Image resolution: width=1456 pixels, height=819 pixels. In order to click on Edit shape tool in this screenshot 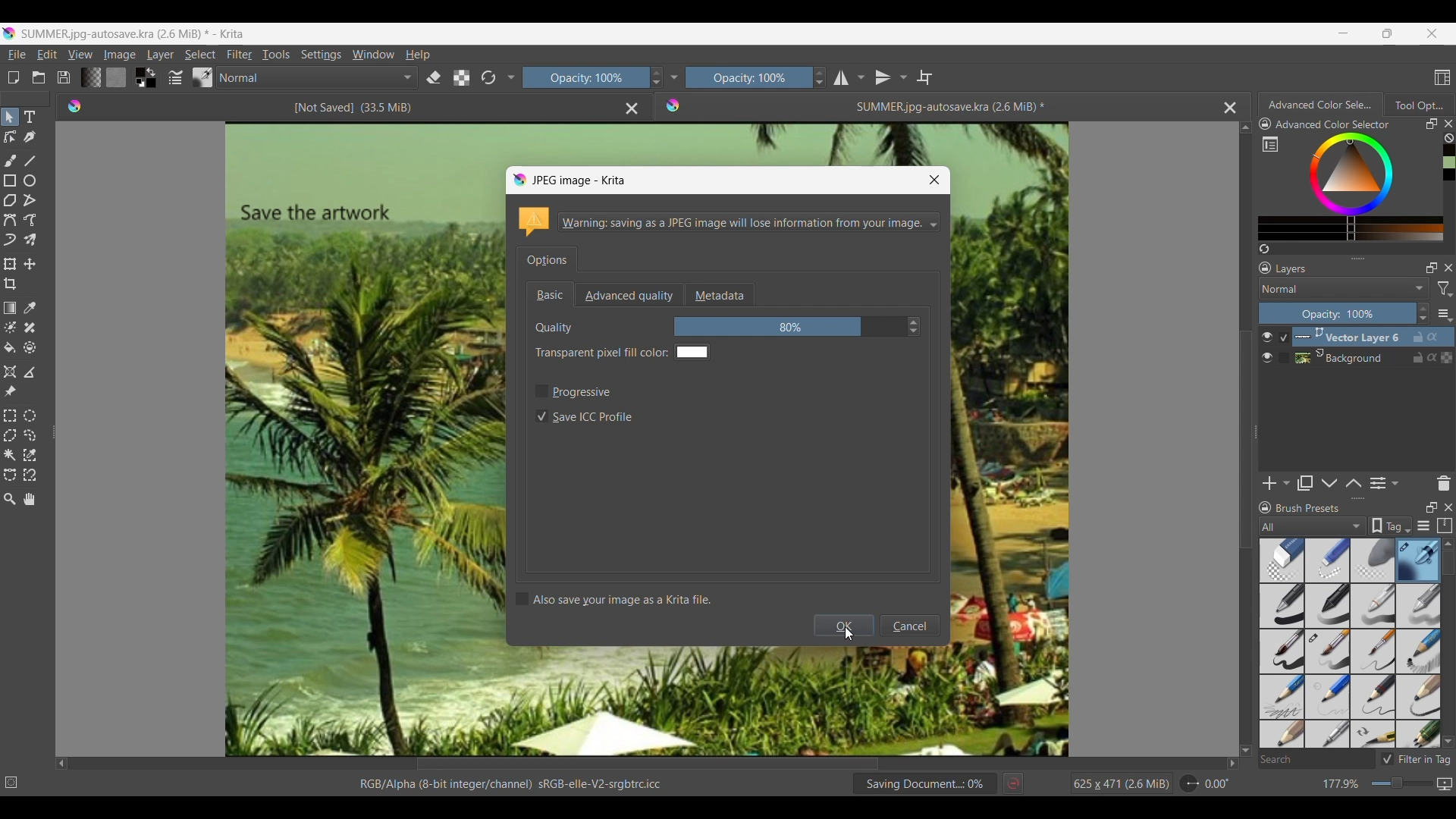, I will do `click(10, 137)`.